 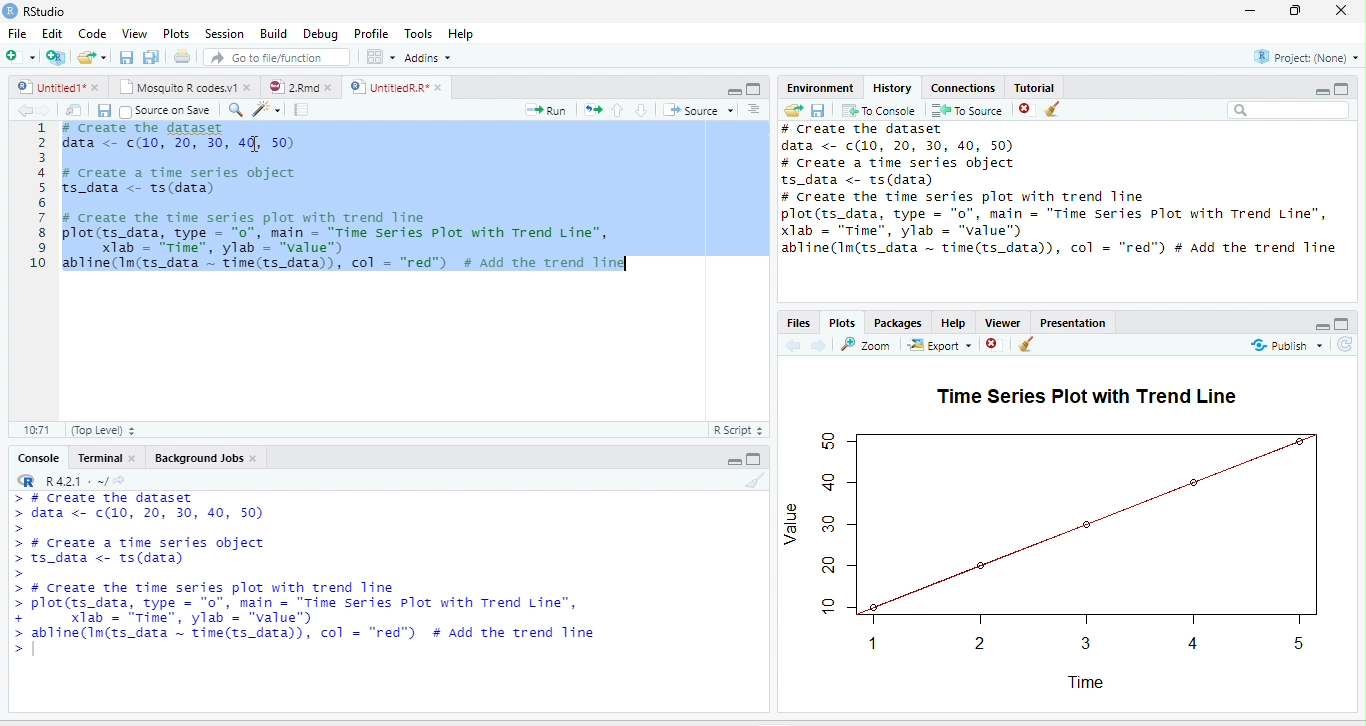 What do you see at coordinates (964, 86) in the screenshot?
I see `Connections` at bounding box center [964, 86].